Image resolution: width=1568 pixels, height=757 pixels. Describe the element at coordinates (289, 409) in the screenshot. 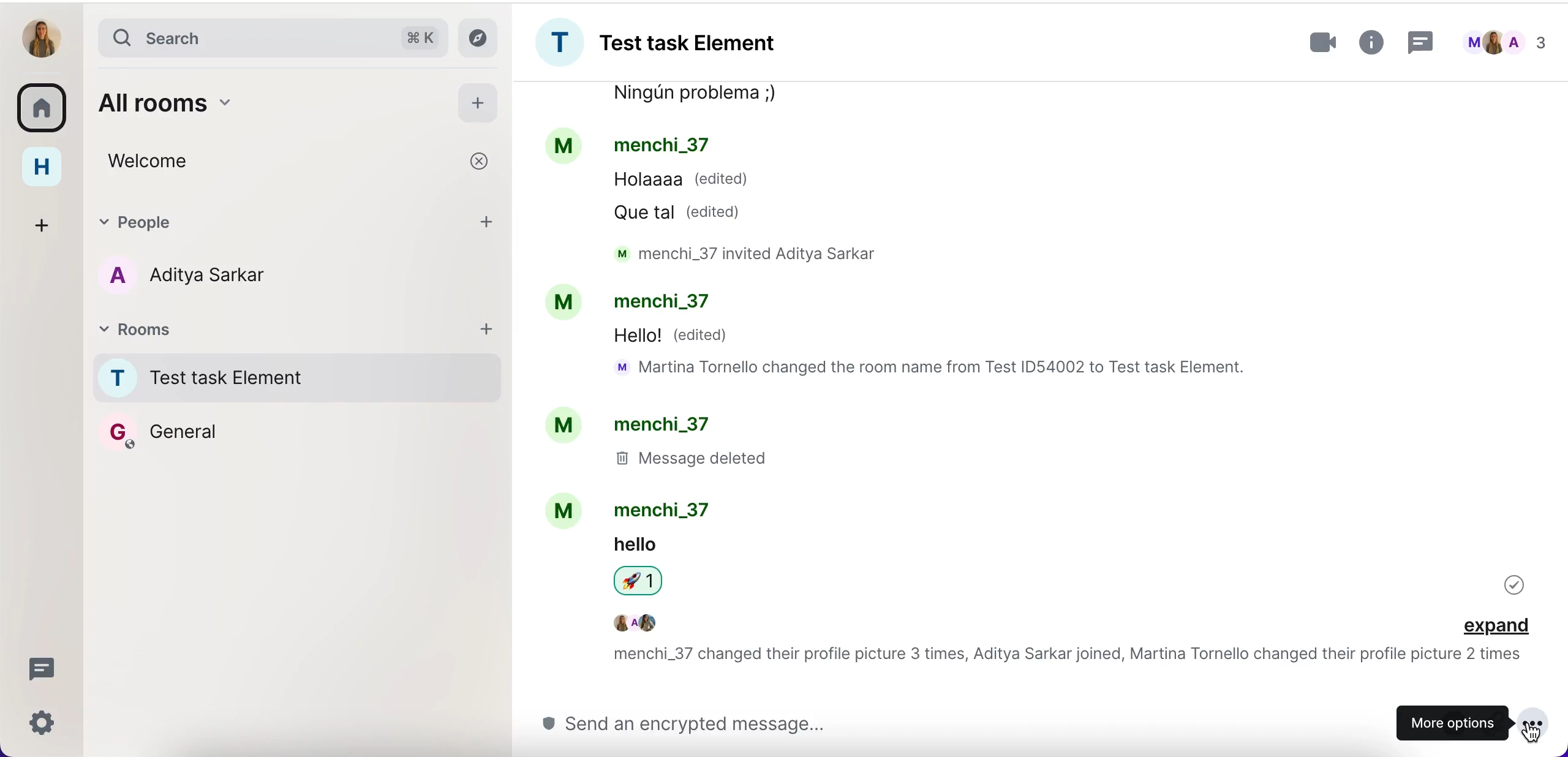

I see `rooms names` at that location.